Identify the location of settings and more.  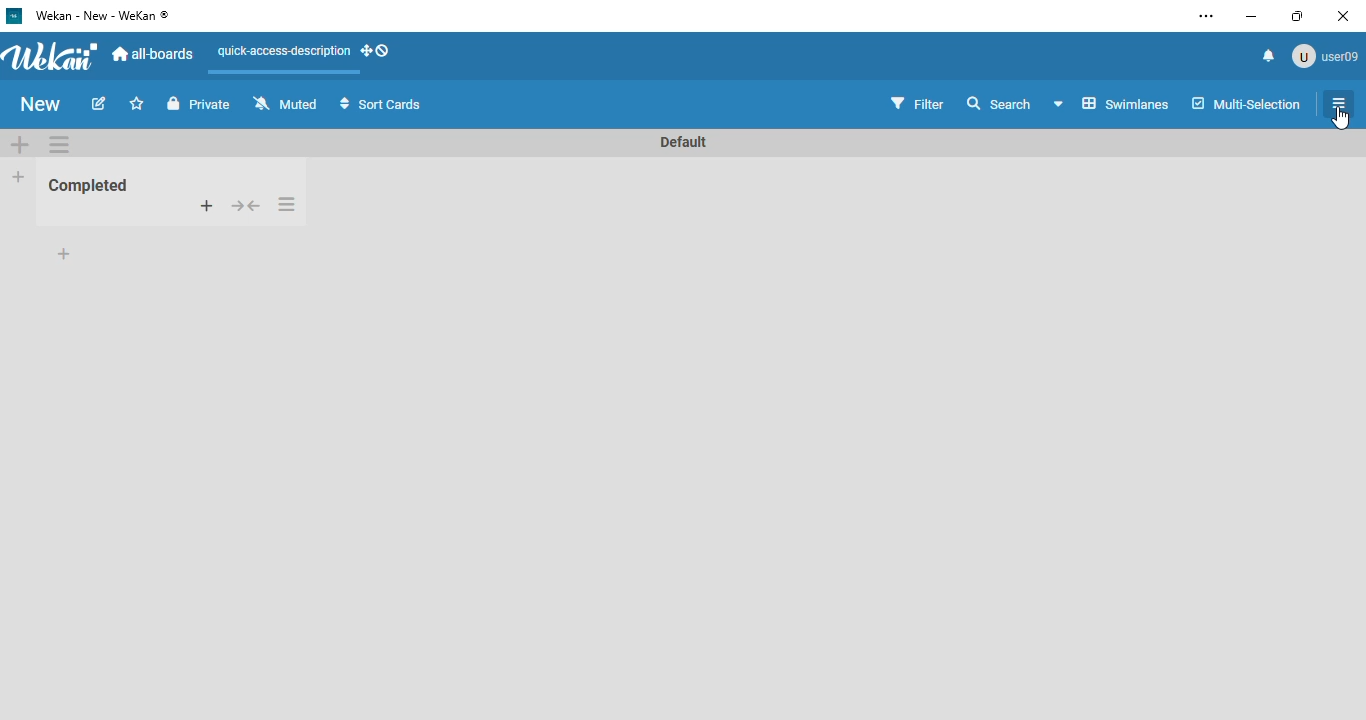
(1210, 16).